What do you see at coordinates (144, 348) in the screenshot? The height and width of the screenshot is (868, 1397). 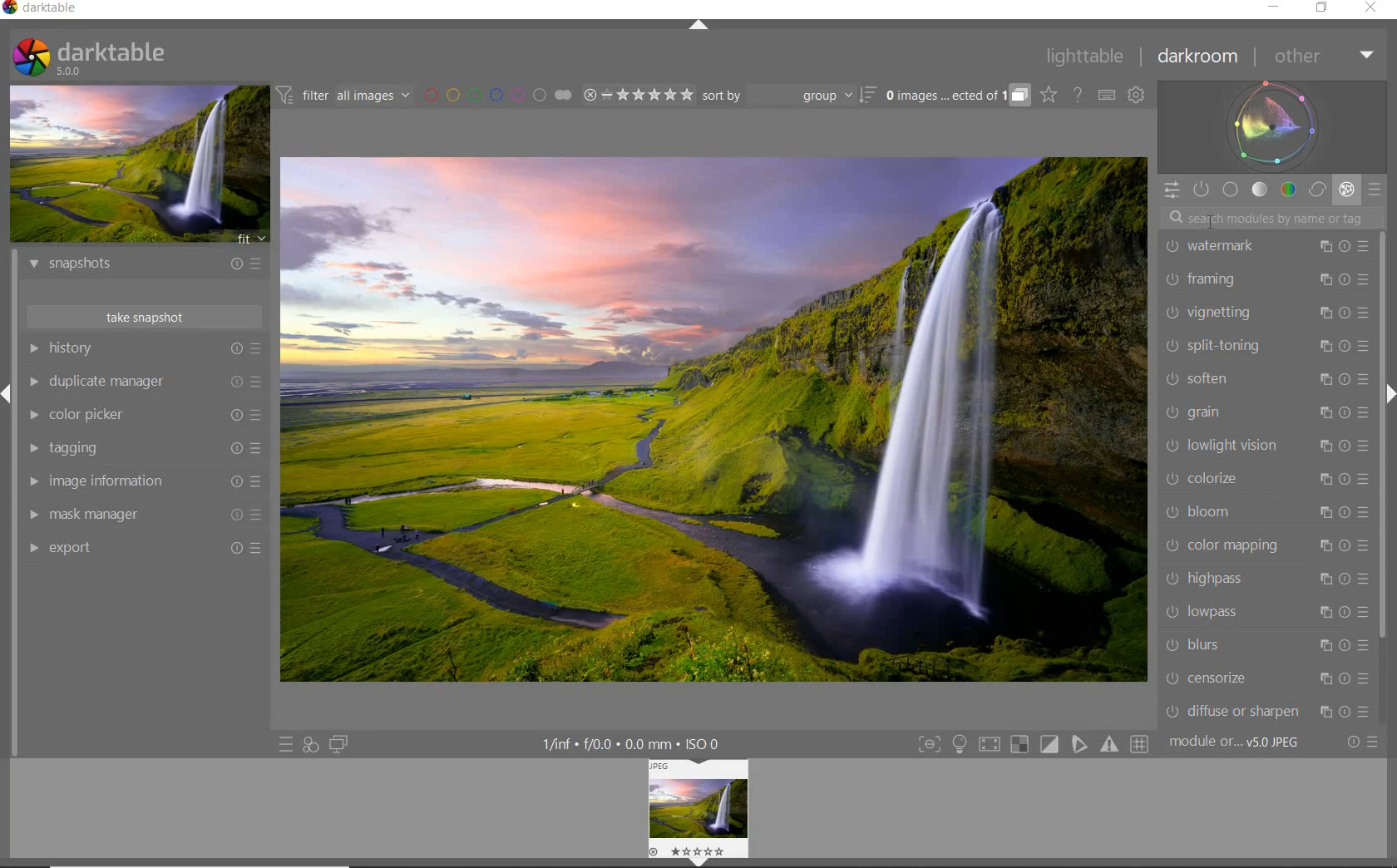 I see `history` at bounding box center [144, 348].